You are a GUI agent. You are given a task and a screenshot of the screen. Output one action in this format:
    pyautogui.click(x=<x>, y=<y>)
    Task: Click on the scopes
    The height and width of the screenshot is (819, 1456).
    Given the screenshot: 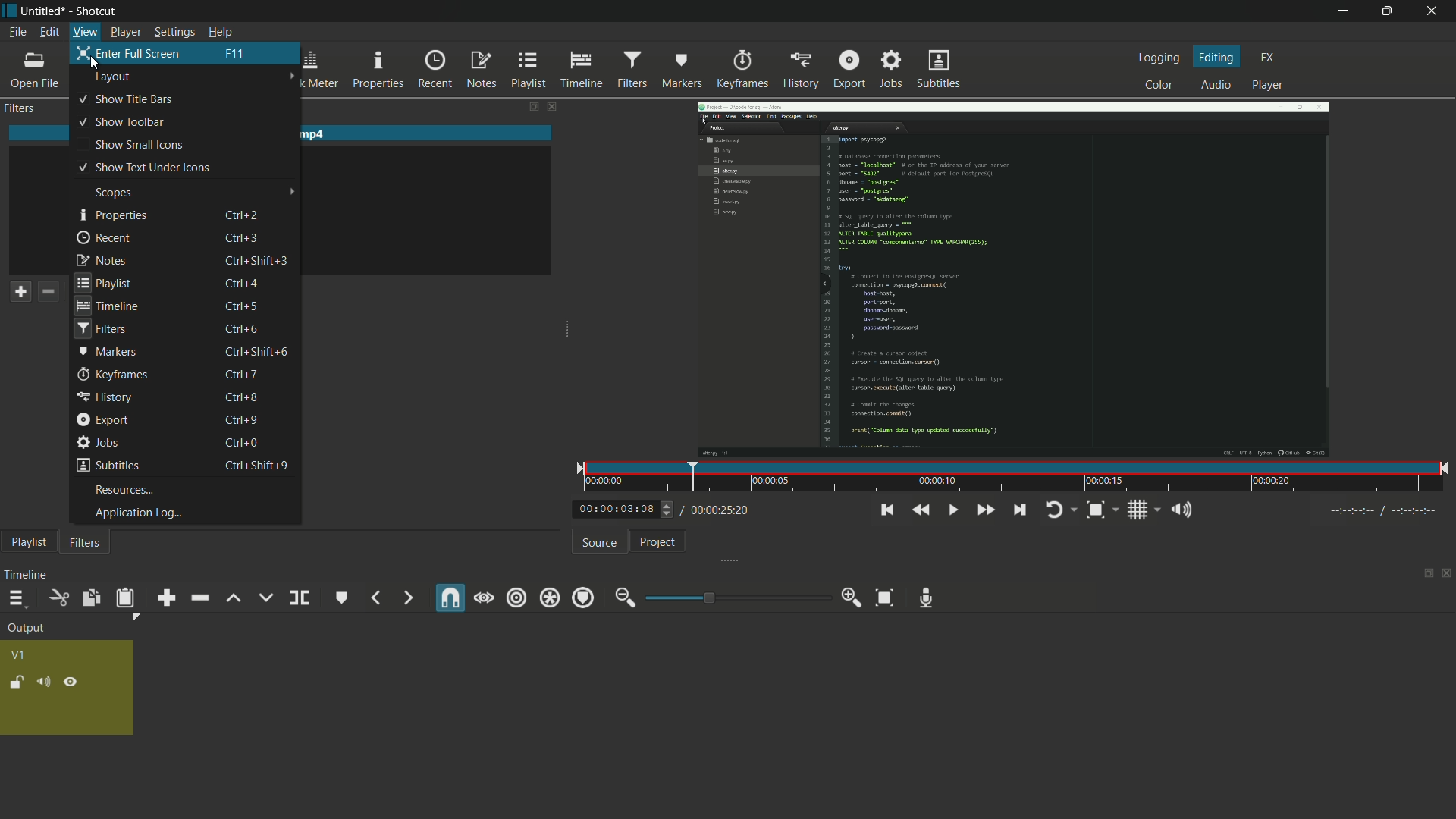 What is the action you would take?
    pyautogui.click(x=116, y=193)
    